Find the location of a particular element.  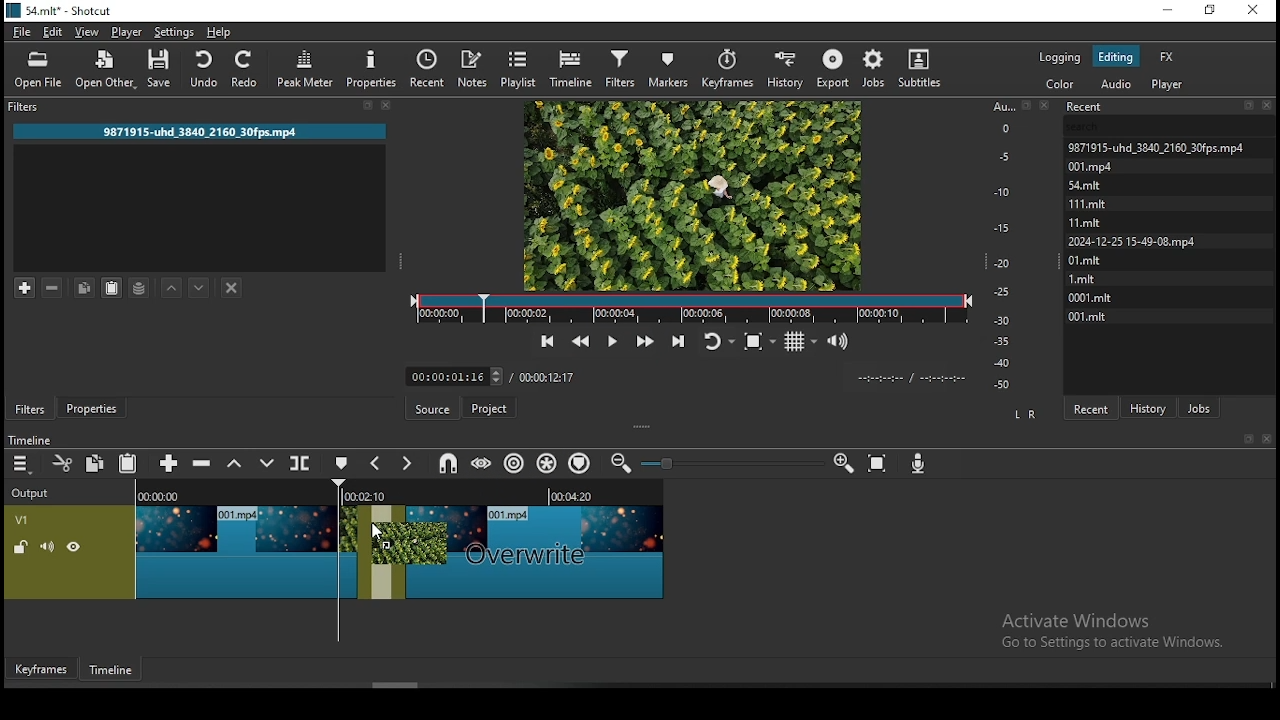

volume control is located at coordinates (840, 342).